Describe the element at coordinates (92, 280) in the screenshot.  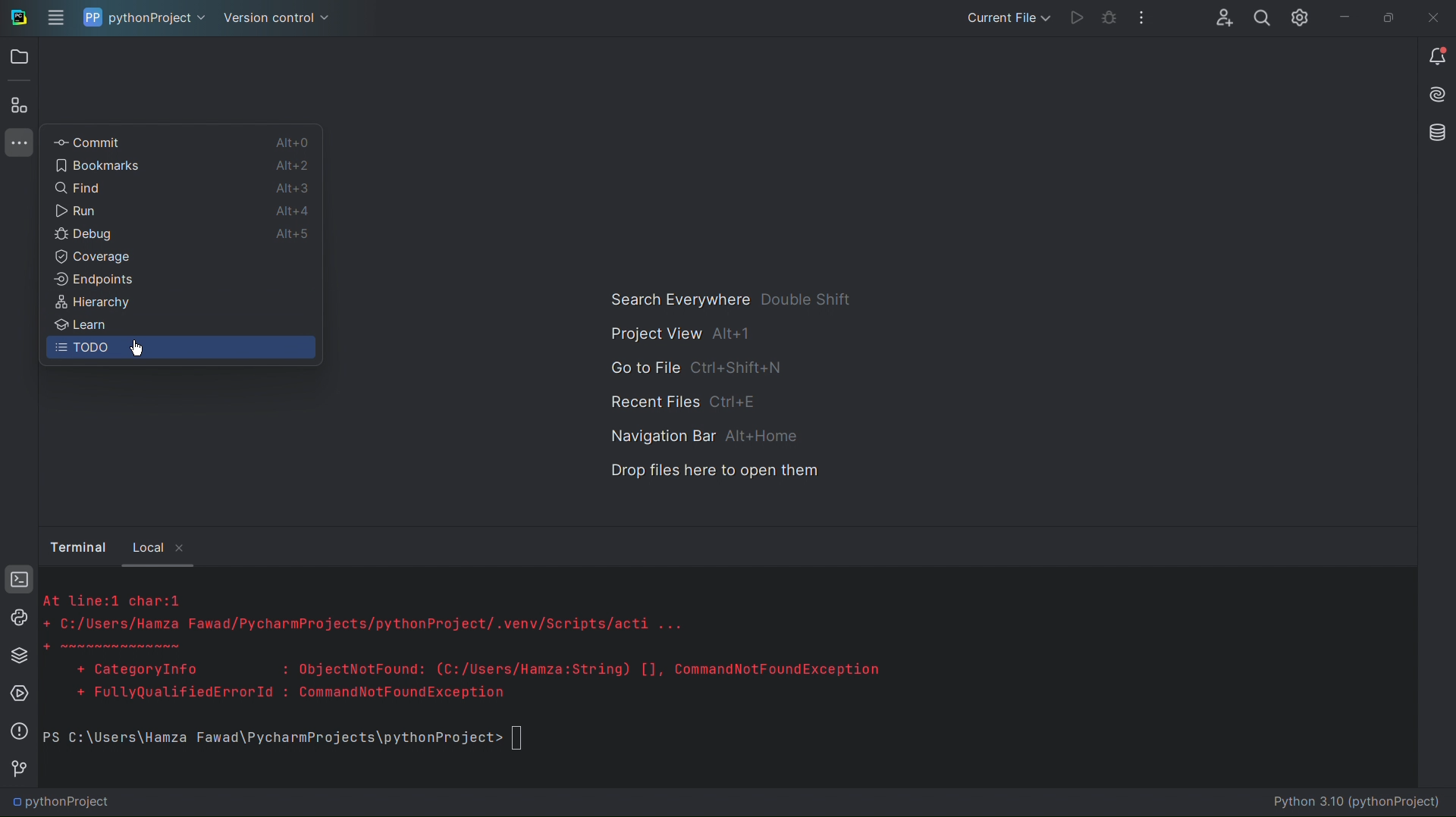
I see `Endpoints` at that location.